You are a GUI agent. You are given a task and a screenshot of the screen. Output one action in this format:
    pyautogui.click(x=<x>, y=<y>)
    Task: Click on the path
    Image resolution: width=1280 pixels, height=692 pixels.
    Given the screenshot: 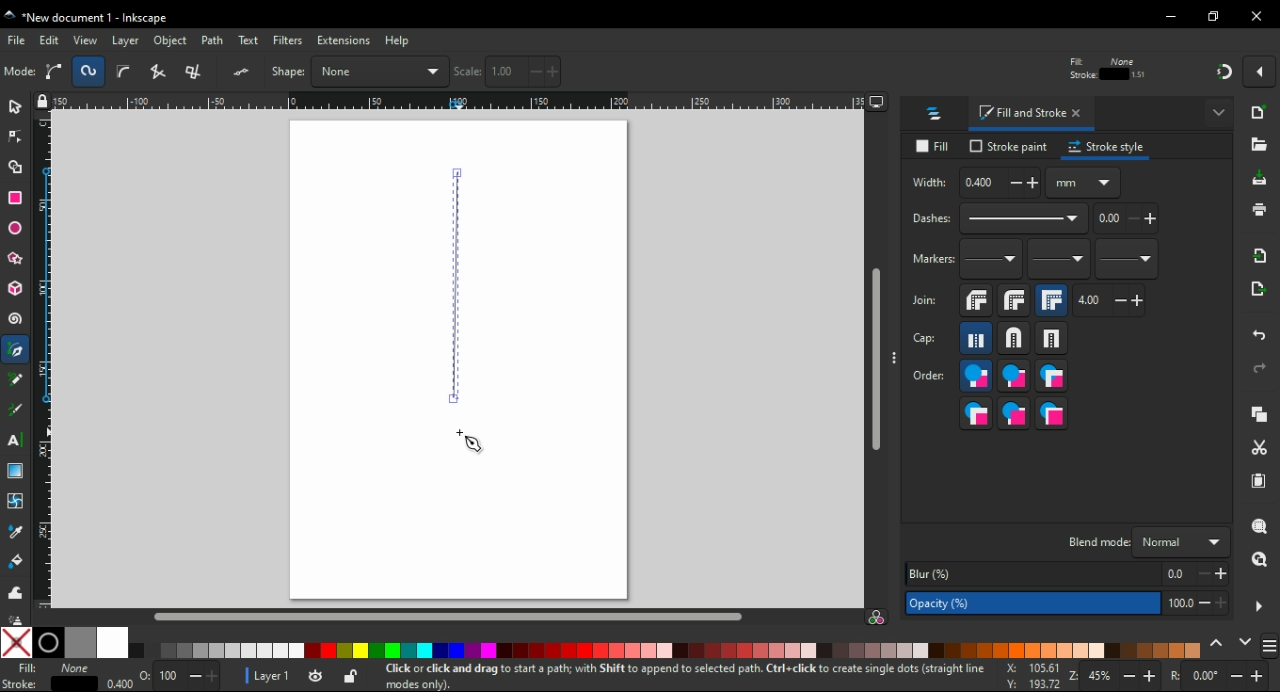 What is the action you would take?
    pyautogui.click(x=214, y=40)
    